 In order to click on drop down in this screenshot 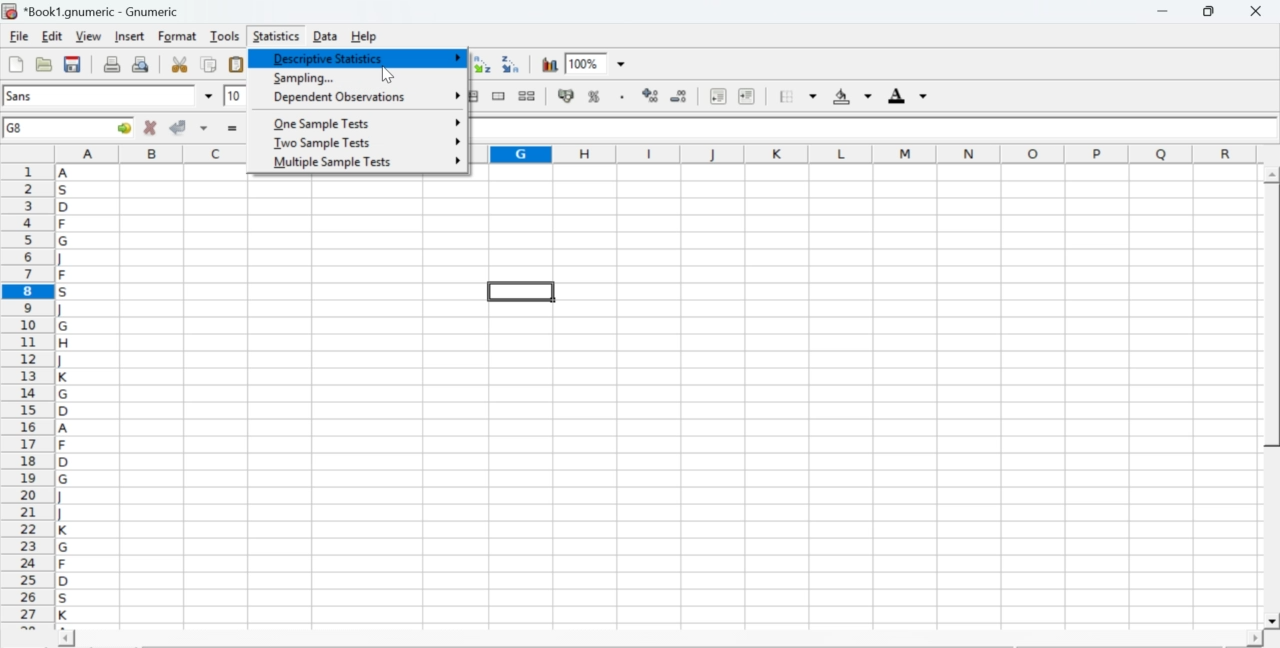, I will do `click(210, 96)`.